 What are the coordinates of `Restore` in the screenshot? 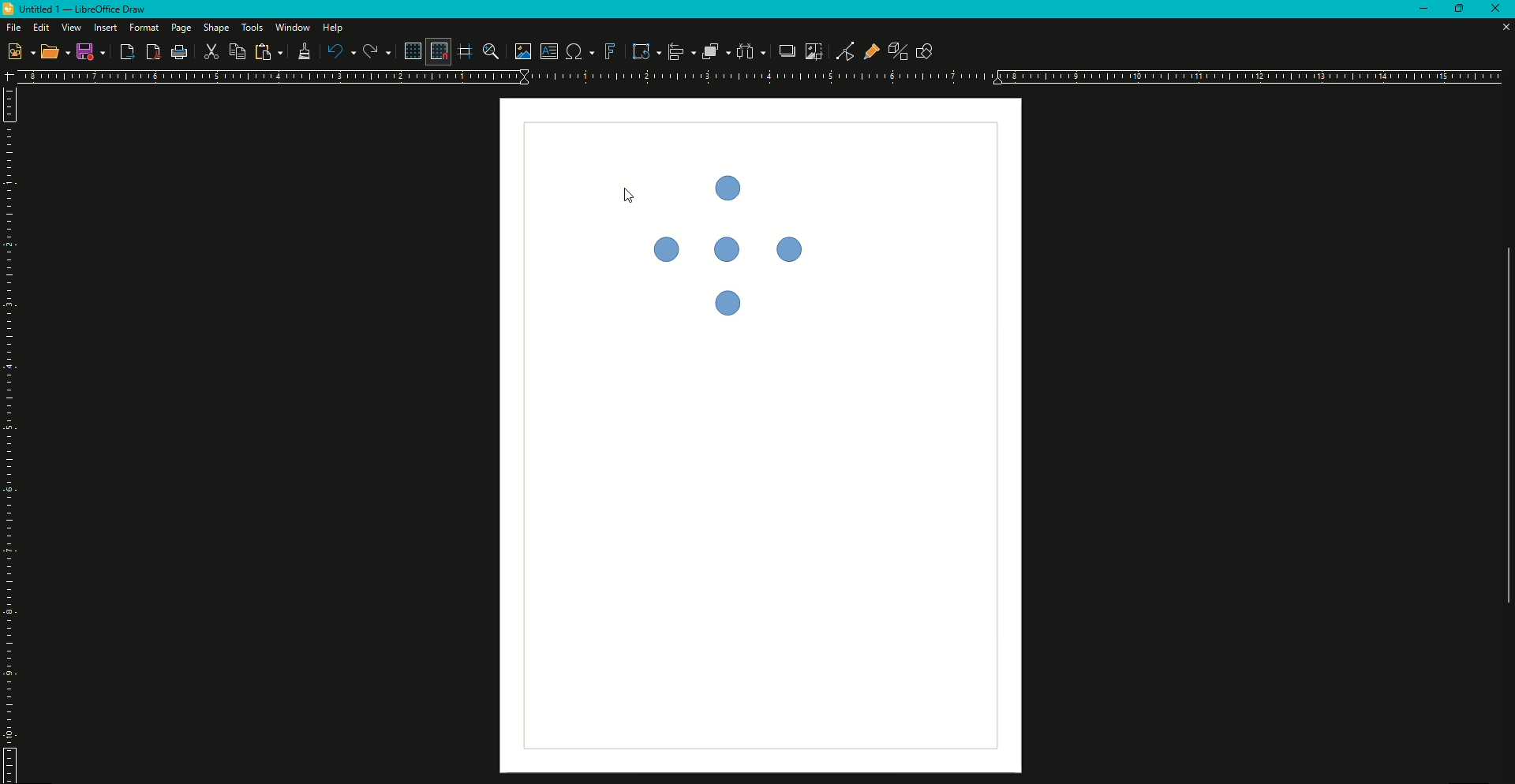 It's located at (1457, 9).